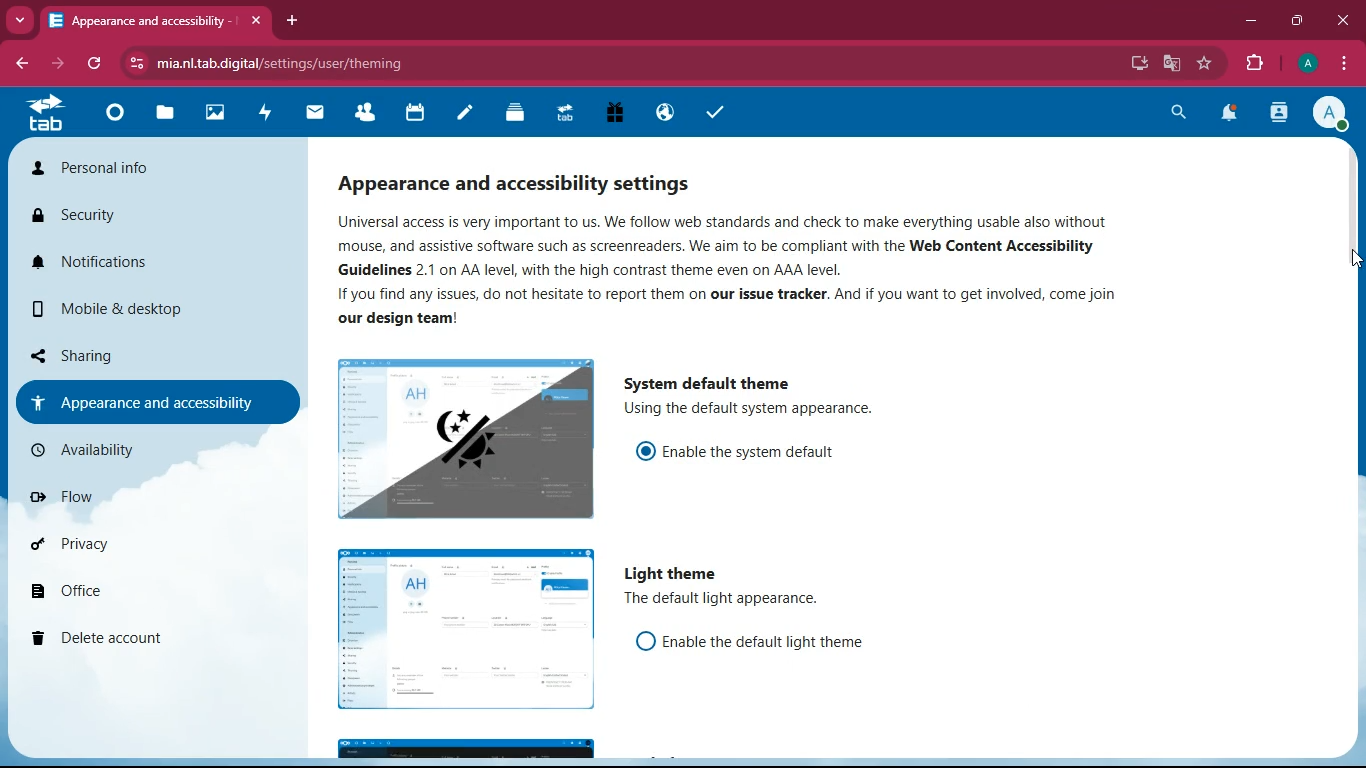 This screenshot has height=768, width=1366. I want to click on public, so click(661, 114).